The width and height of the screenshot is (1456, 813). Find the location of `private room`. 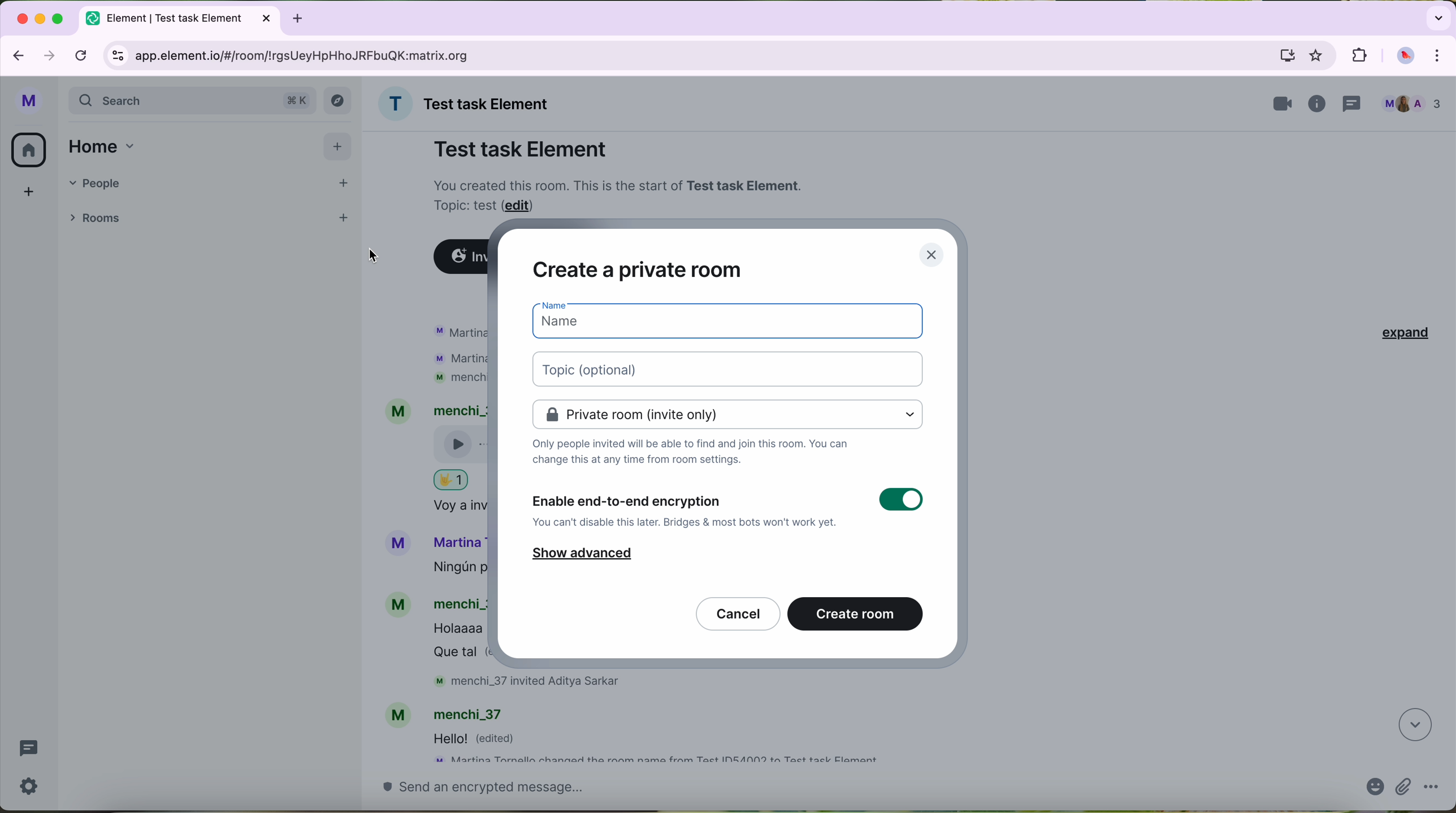

private room is located at coordinates (727, 414).